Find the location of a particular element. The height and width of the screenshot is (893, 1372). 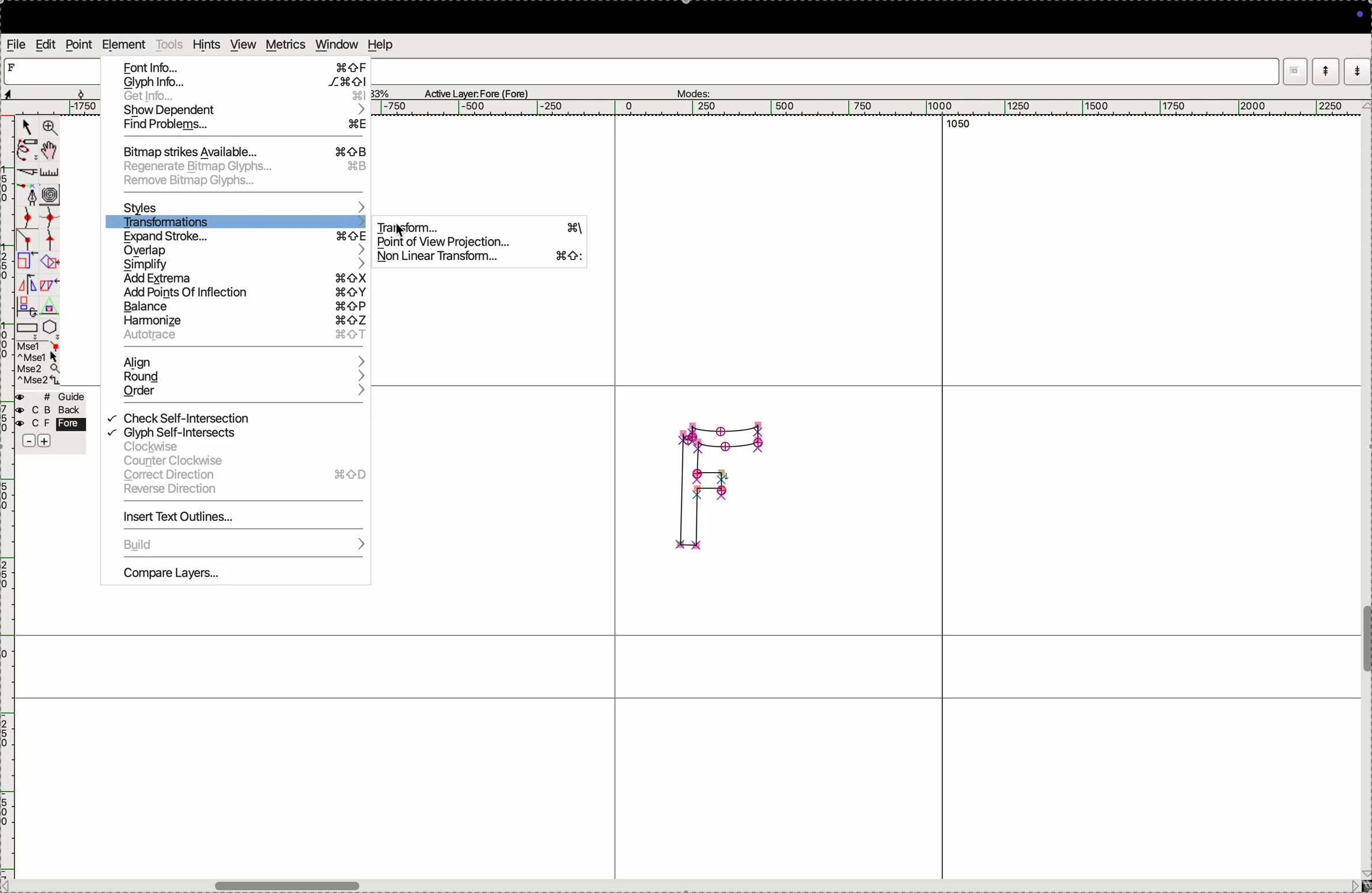

file is located at coordinates (17, 44).